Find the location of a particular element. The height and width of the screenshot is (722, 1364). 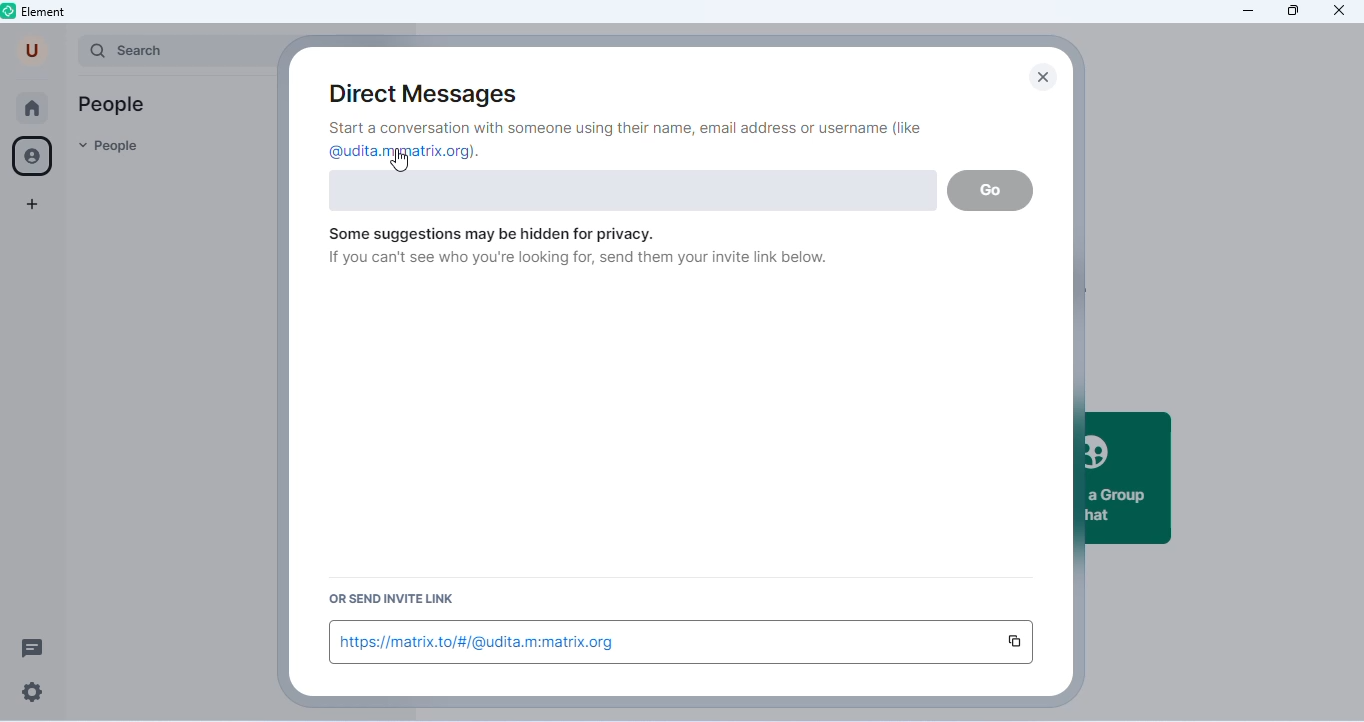

close is located at coordinates (1338, 11).